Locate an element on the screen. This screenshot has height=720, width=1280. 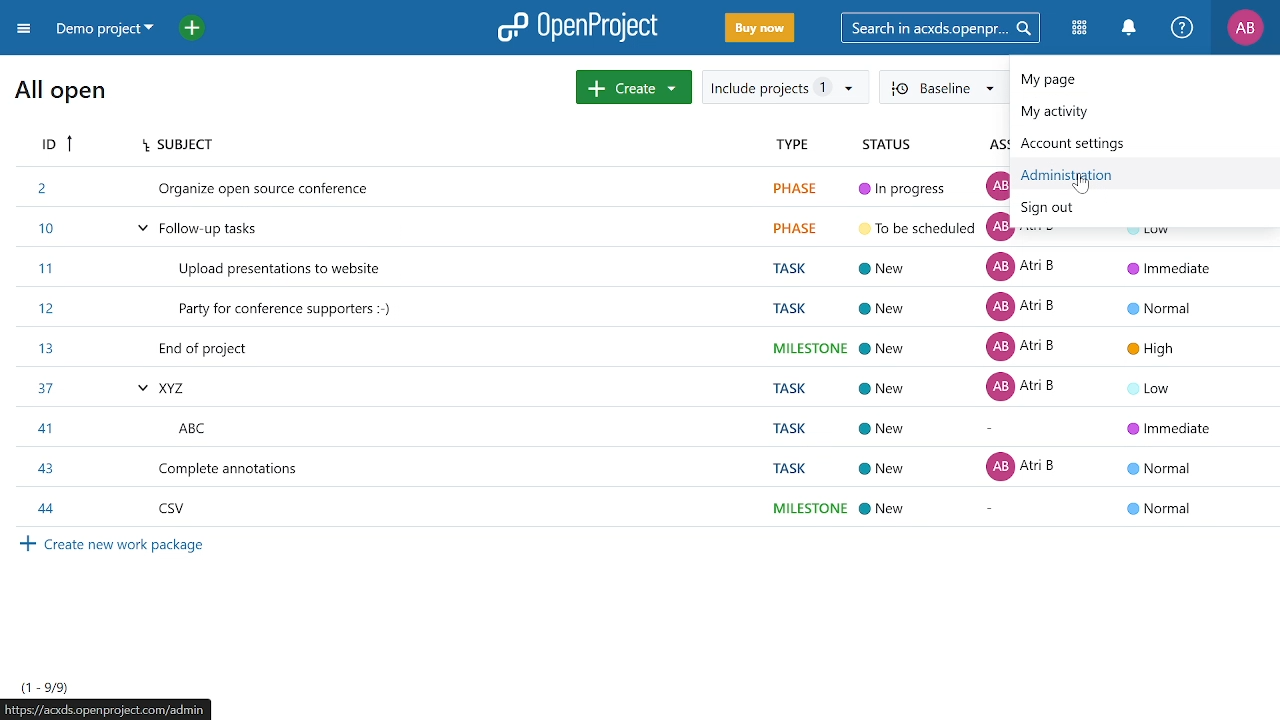
cursor is located at coordinates (1081, 183).